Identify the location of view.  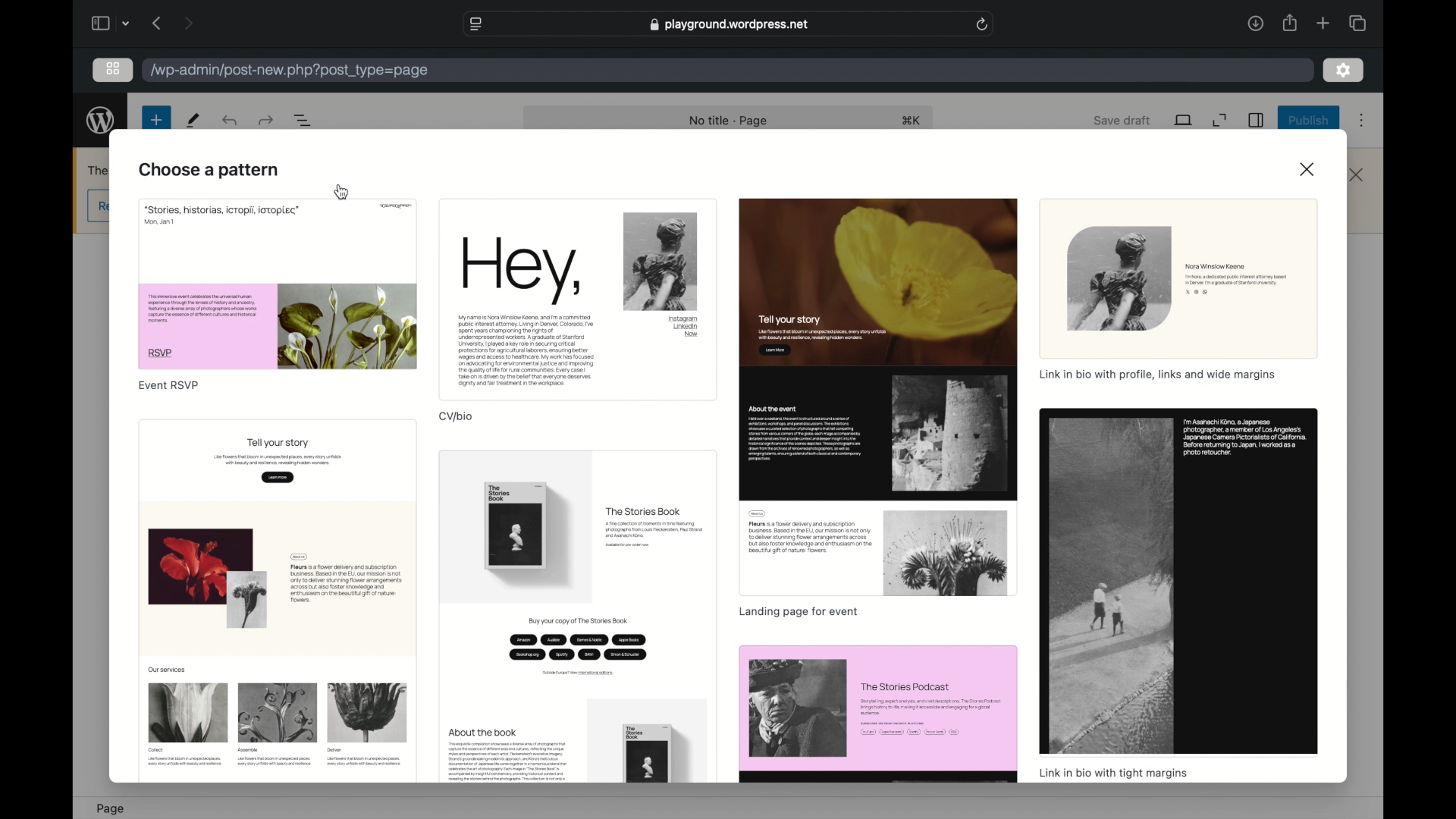
(1184, 121).